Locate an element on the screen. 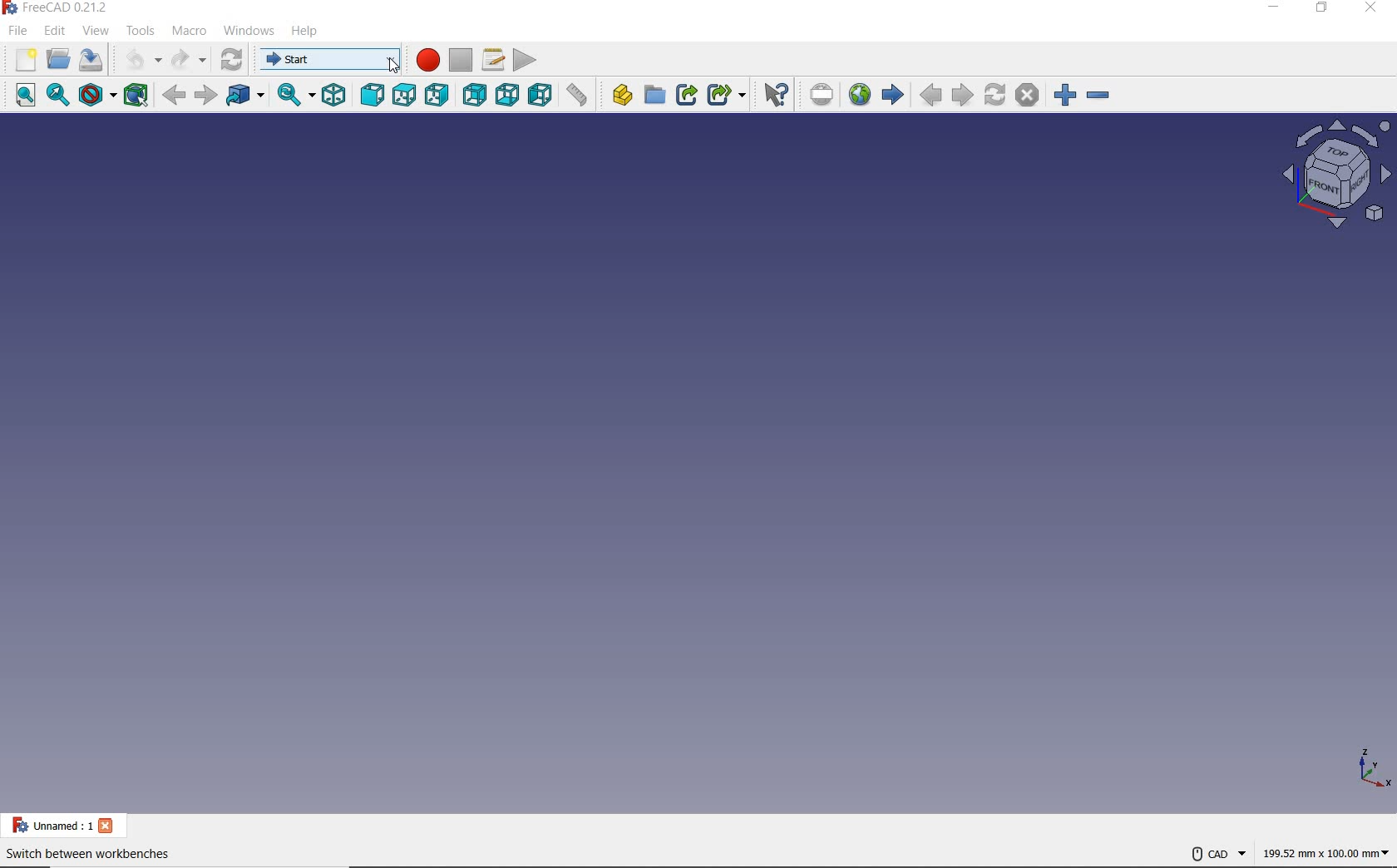 Image resolution: width=1397 pixels, height=868 pixels. SAVE is located at coordinates (95, 60).